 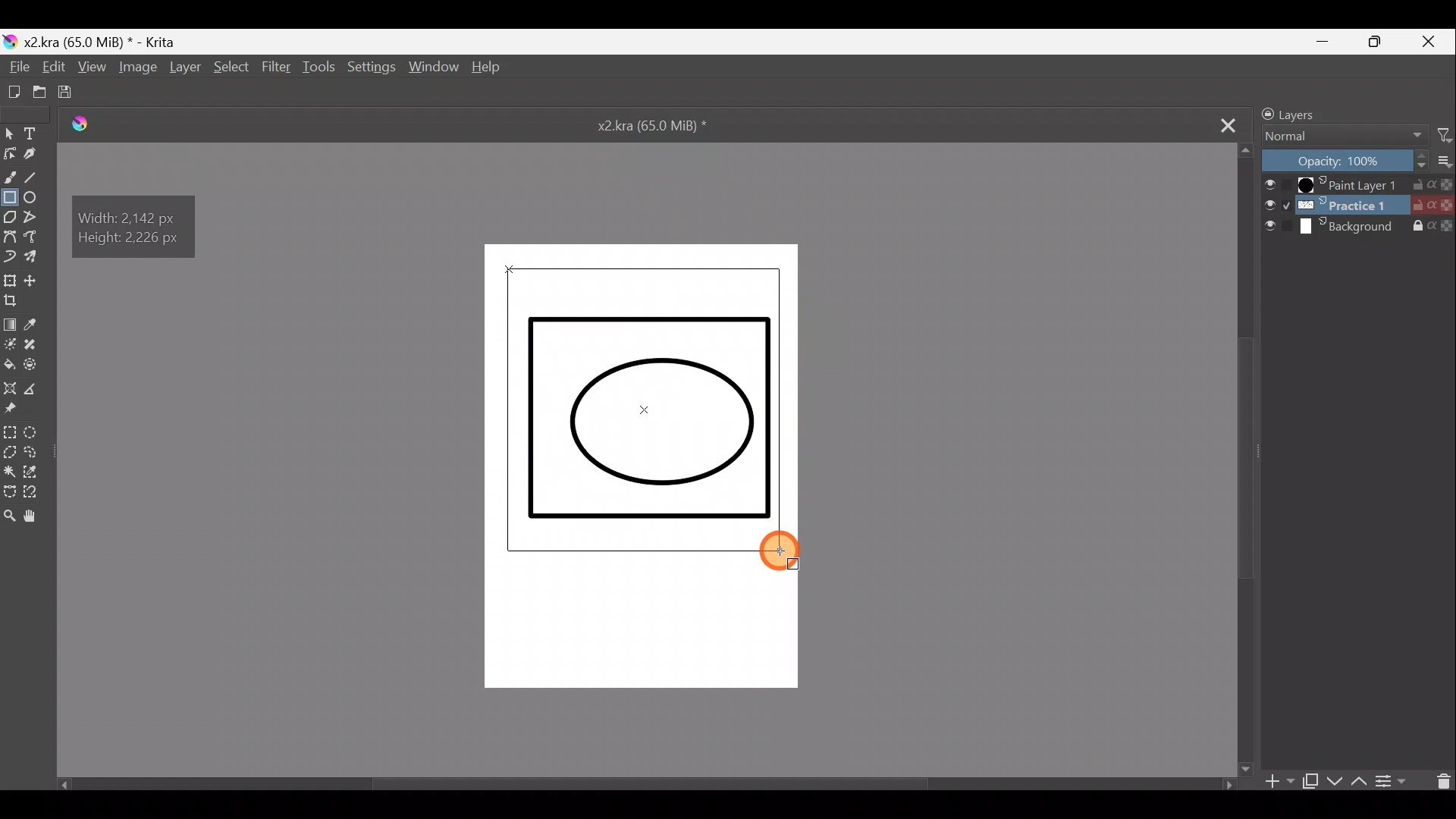 What do you see at coordinates (1246, 457) in the screenshot?
I see `Scroll bar` at bounding box center [1246, 457].